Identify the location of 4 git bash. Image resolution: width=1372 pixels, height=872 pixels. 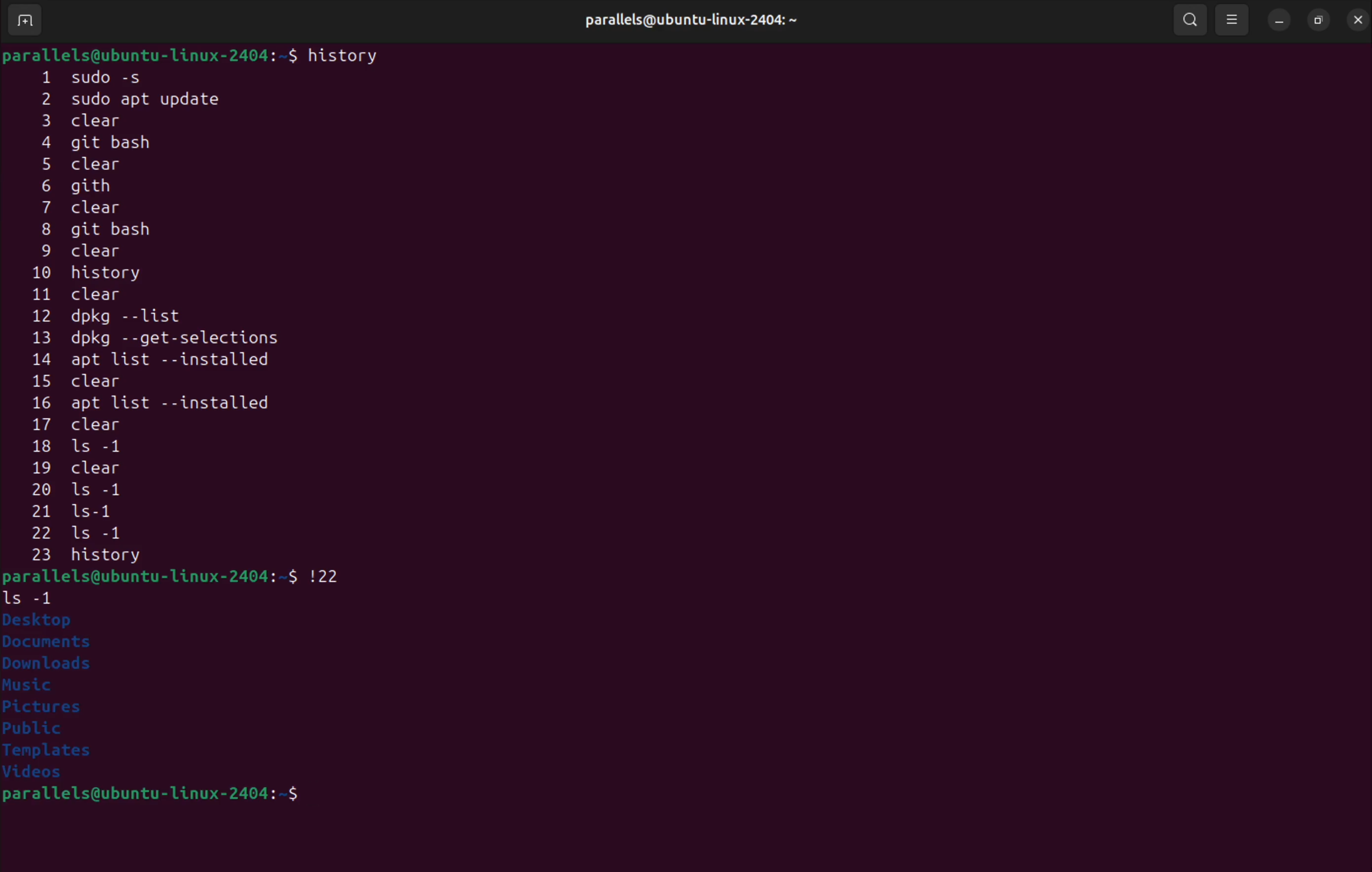
(108, 144).